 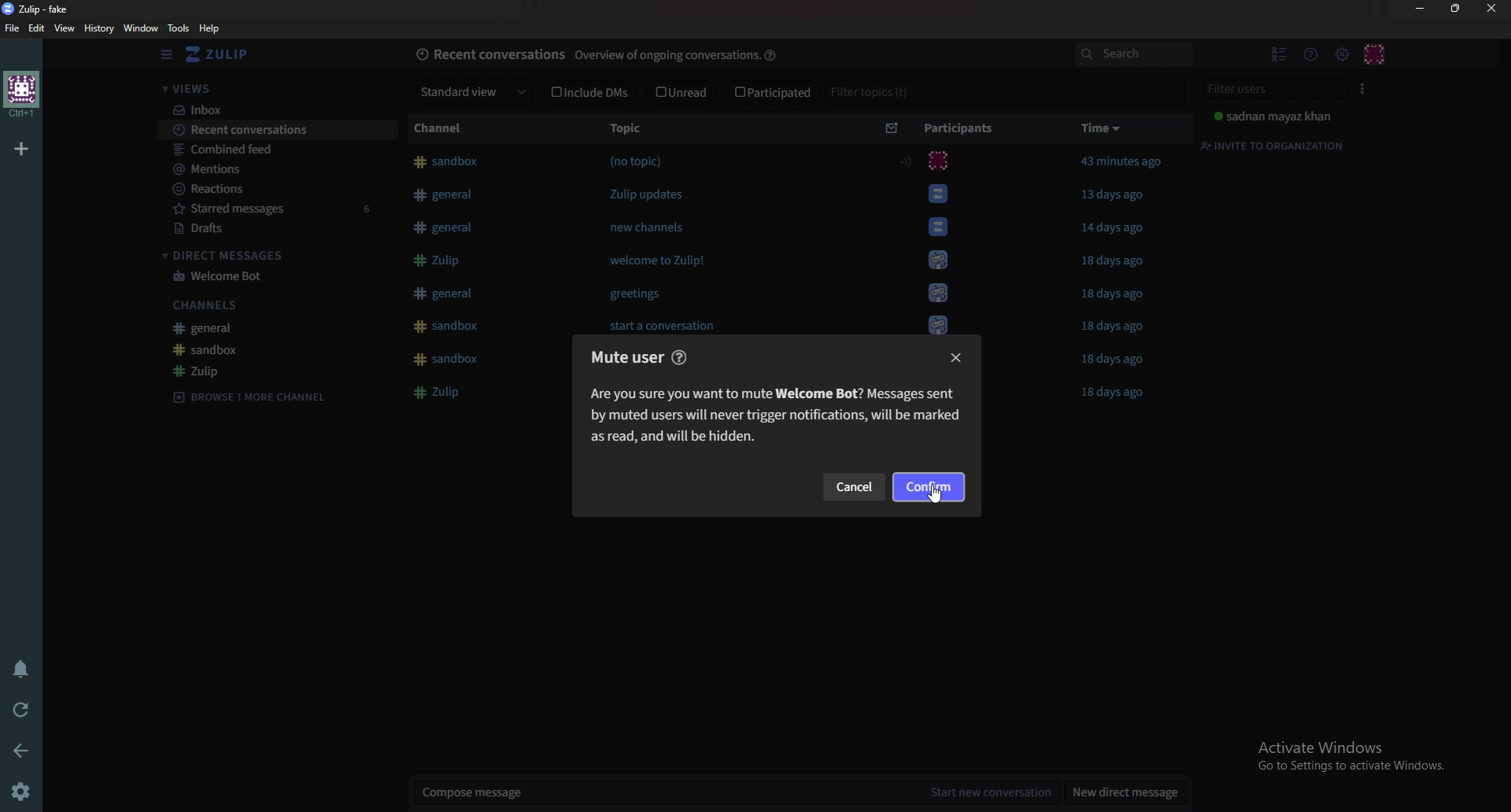 I want to click on Hide user list, so click(x=1280, y=53).